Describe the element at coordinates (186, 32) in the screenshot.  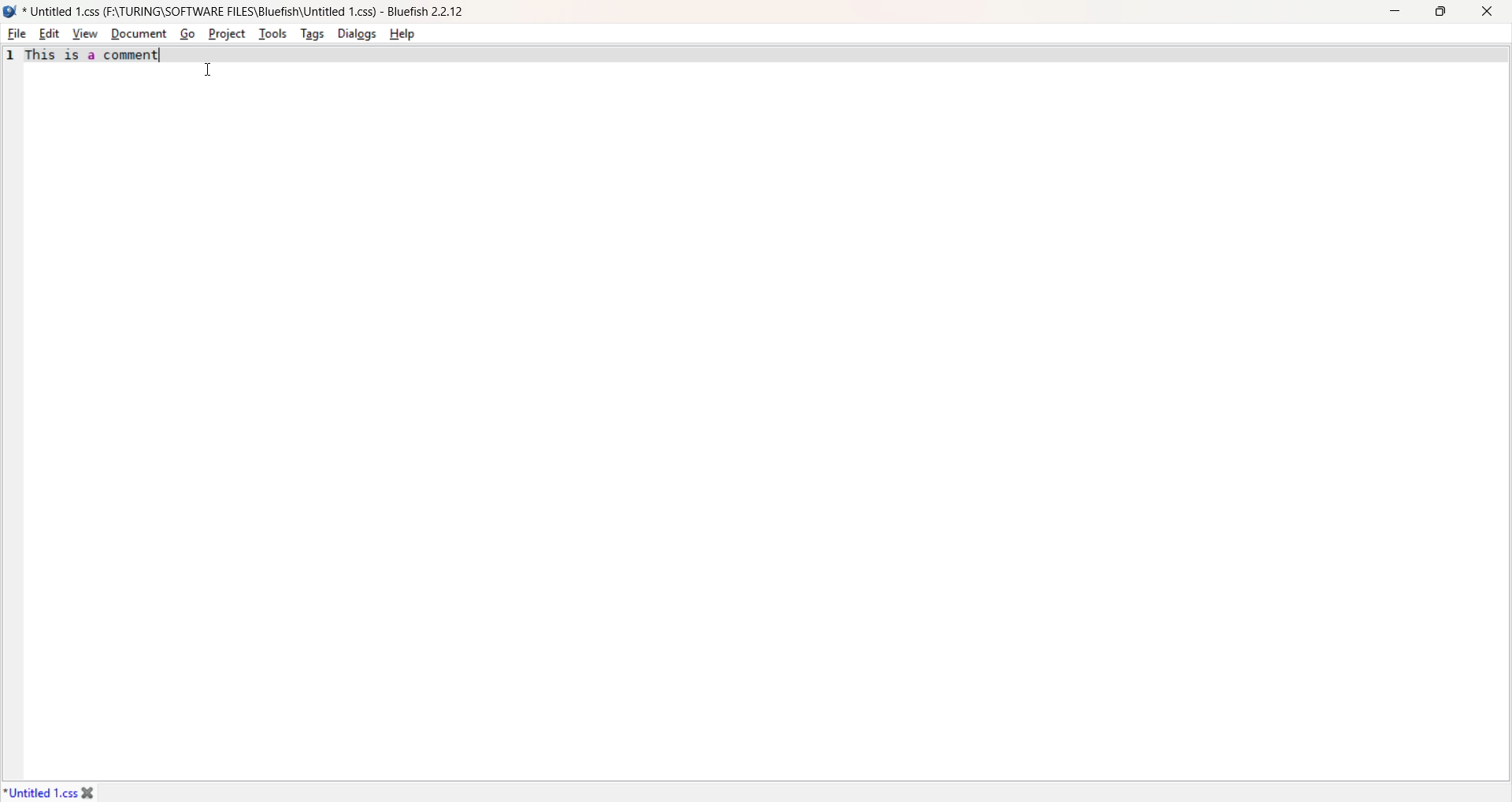
I see `Go` at that location.